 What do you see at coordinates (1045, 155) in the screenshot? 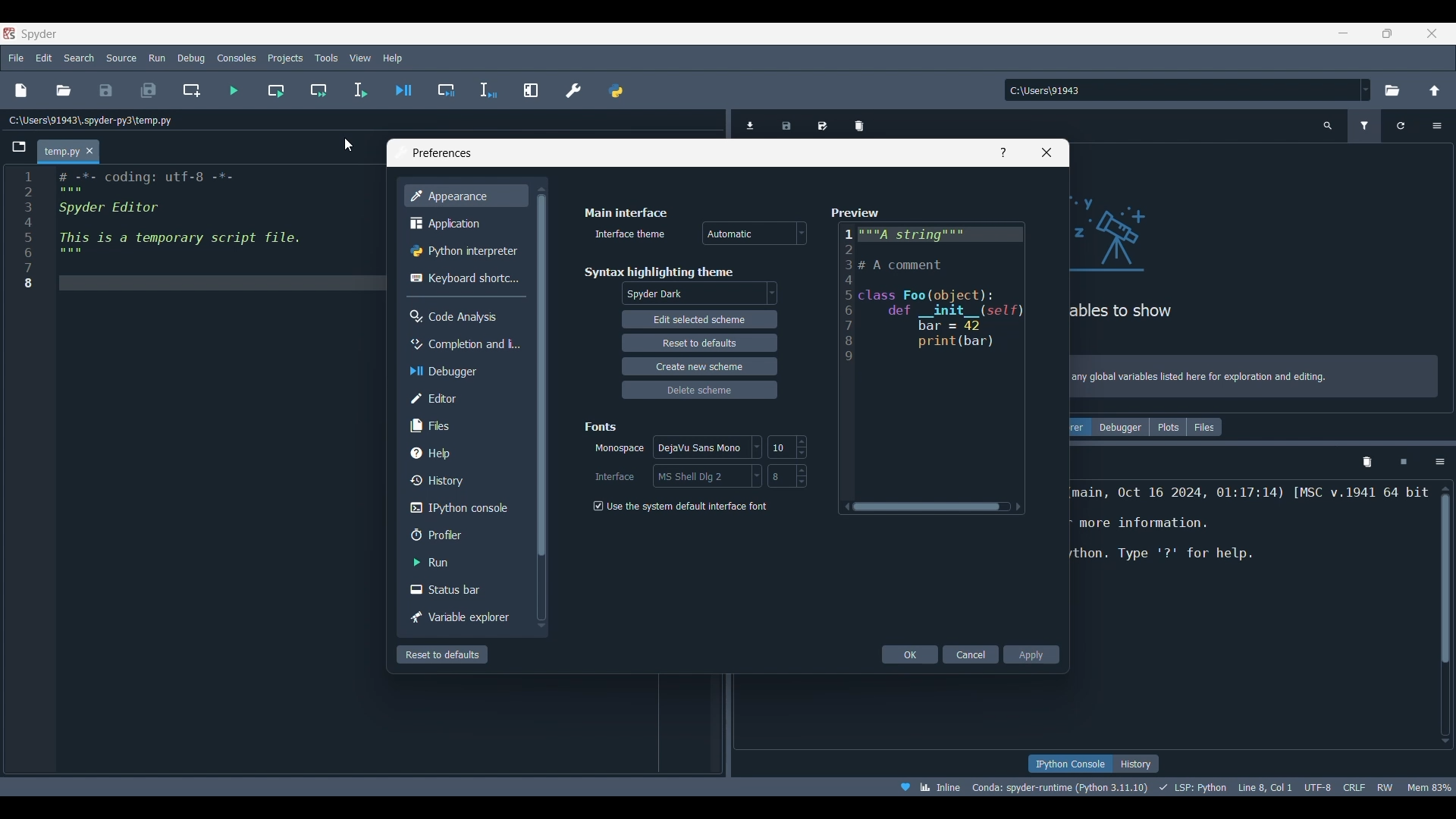
I see `close` at bounding box center [1045, 155].